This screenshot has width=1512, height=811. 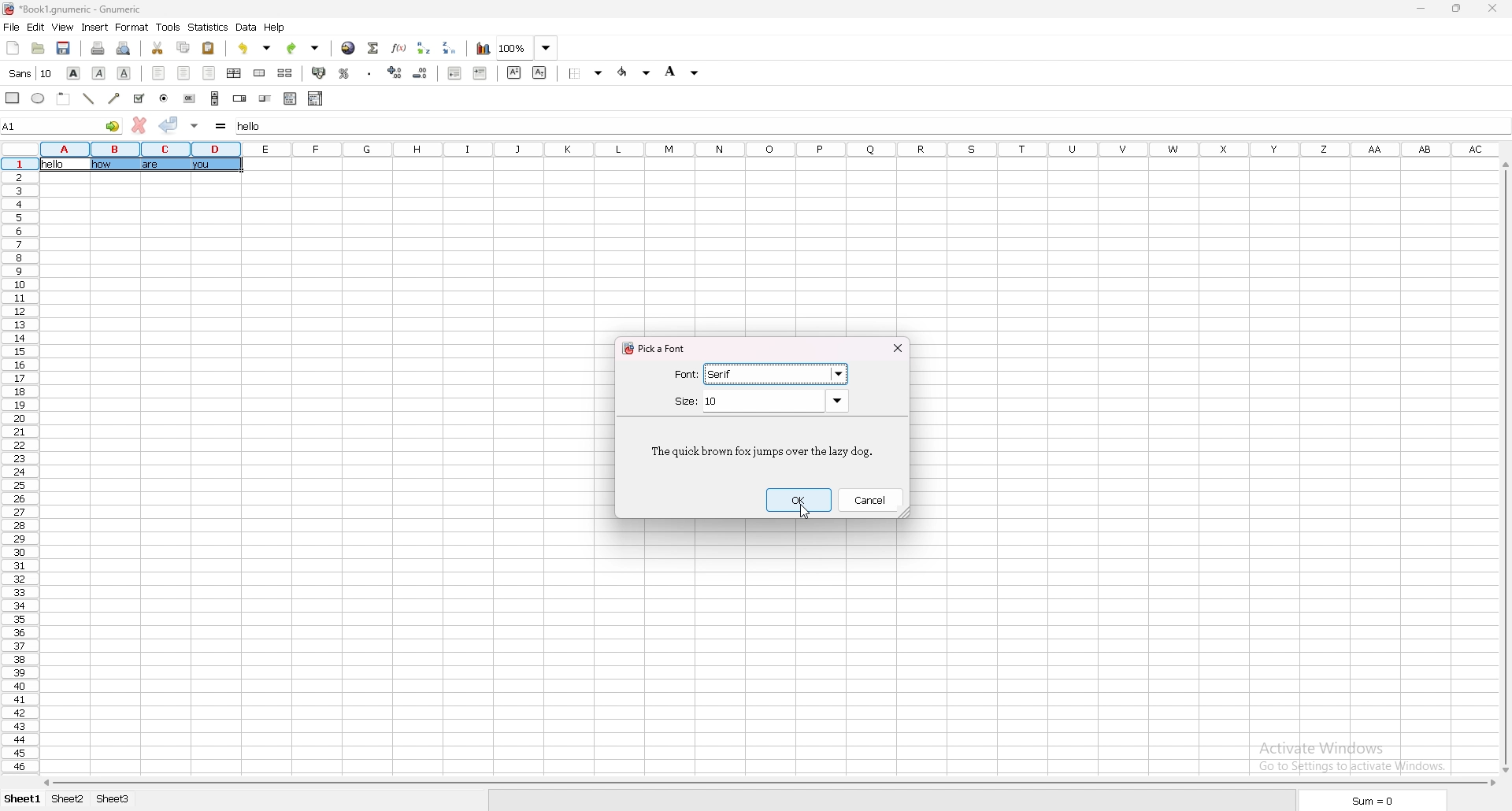 What do you see at coordinates (528, 48) in the screenshot?
I see `zoom` at bounding box center [528, 48].